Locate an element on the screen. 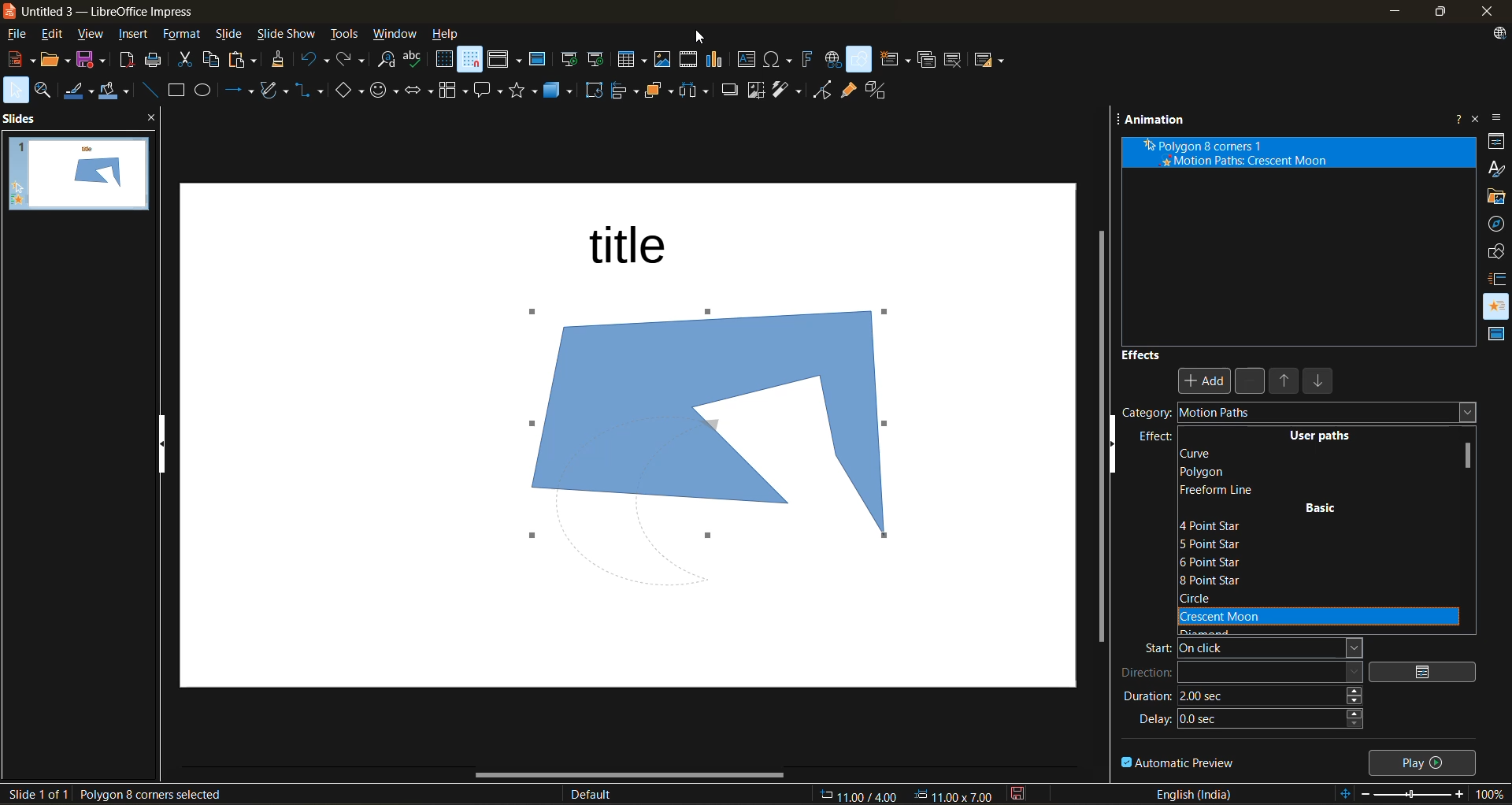  call out shapes is located at coordinates (491, 91).